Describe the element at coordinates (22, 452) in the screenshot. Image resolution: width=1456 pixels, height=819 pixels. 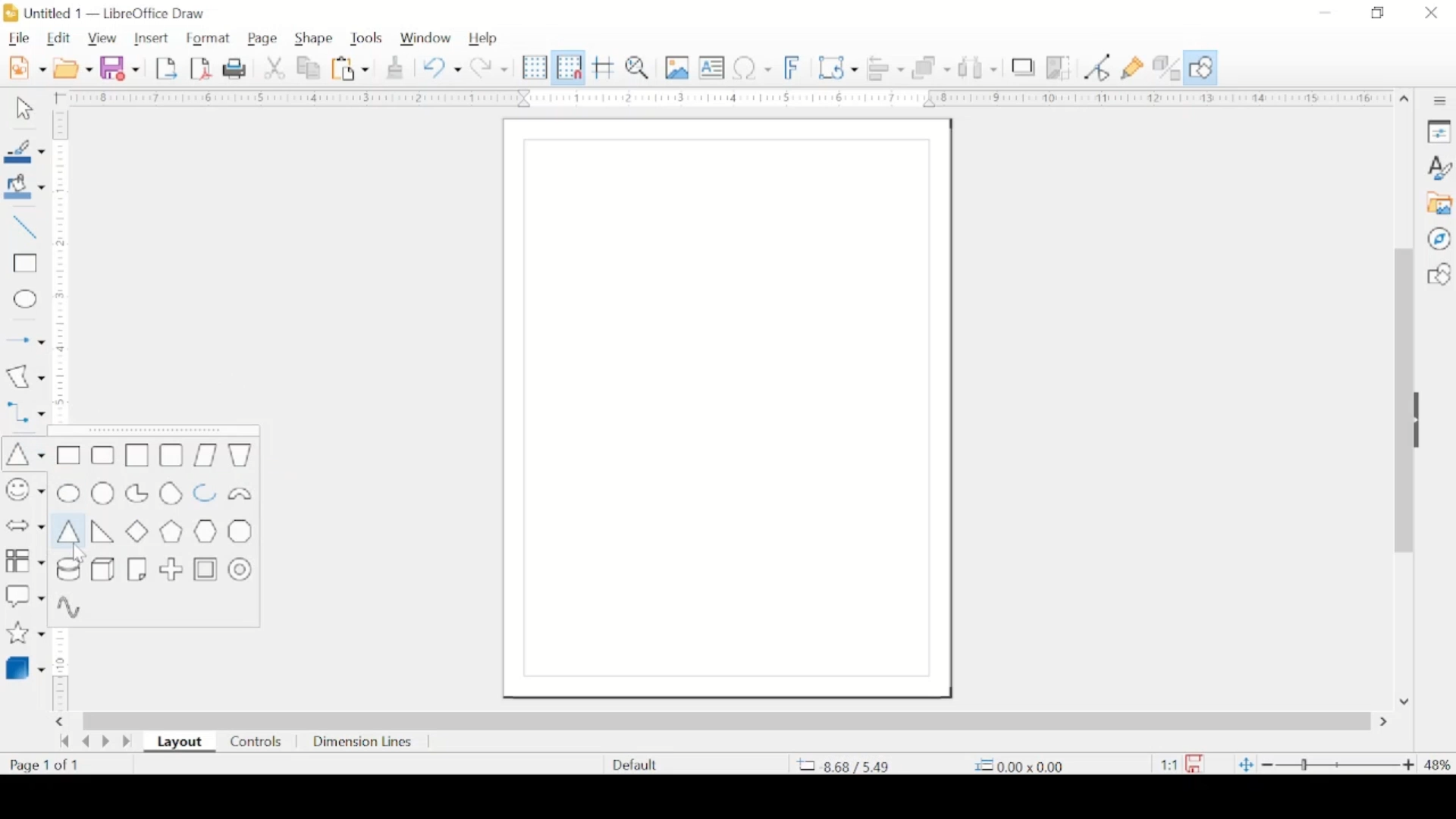
I see `insert triangle` at that location.